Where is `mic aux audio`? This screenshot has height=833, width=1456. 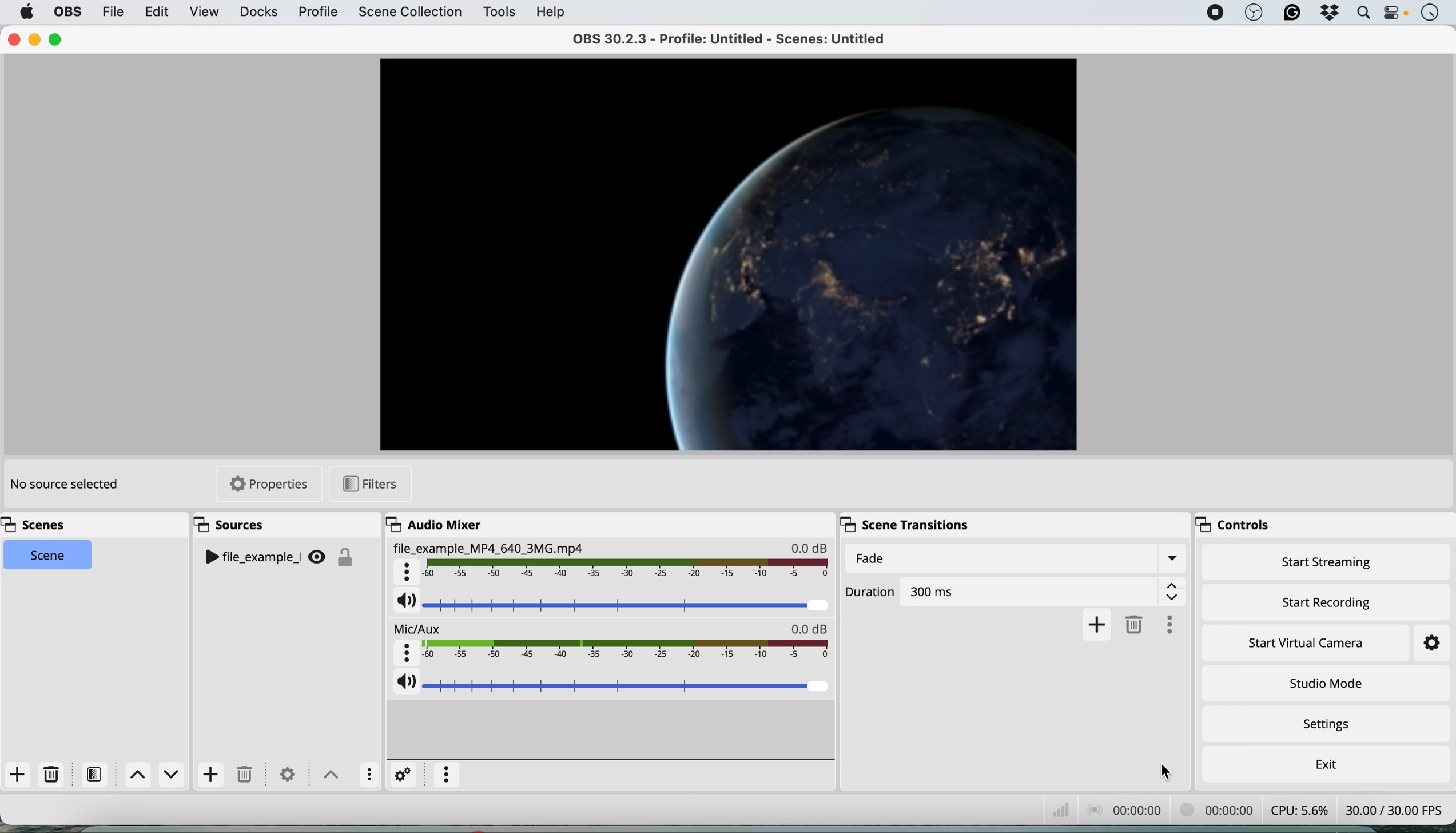 mic aux audio is located at coordinates (612, 643).